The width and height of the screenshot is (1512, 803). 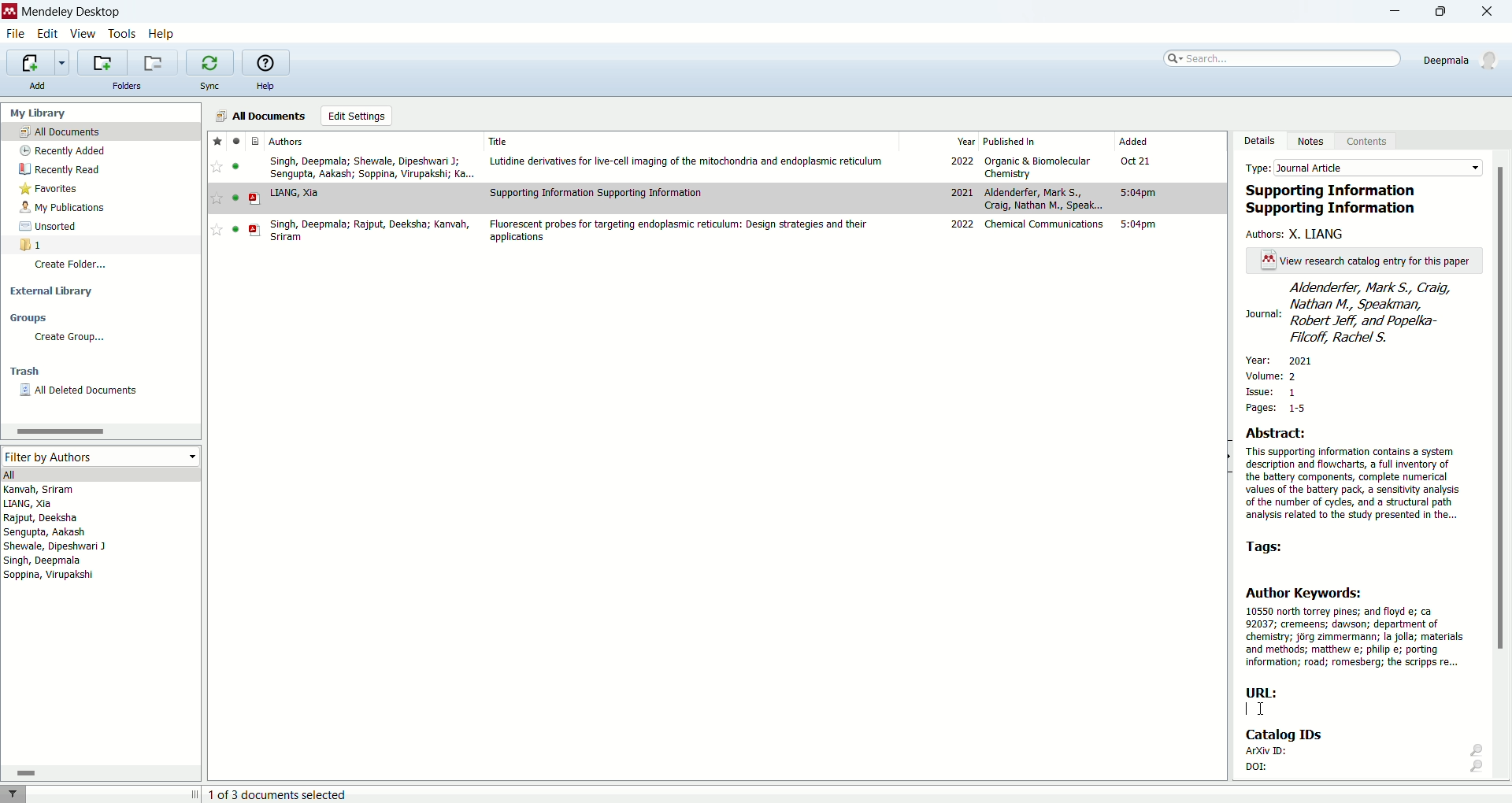 What do you see at coordinates (235, 166) in the screenshot?
I see `unread` at bounding box center [235, 166].